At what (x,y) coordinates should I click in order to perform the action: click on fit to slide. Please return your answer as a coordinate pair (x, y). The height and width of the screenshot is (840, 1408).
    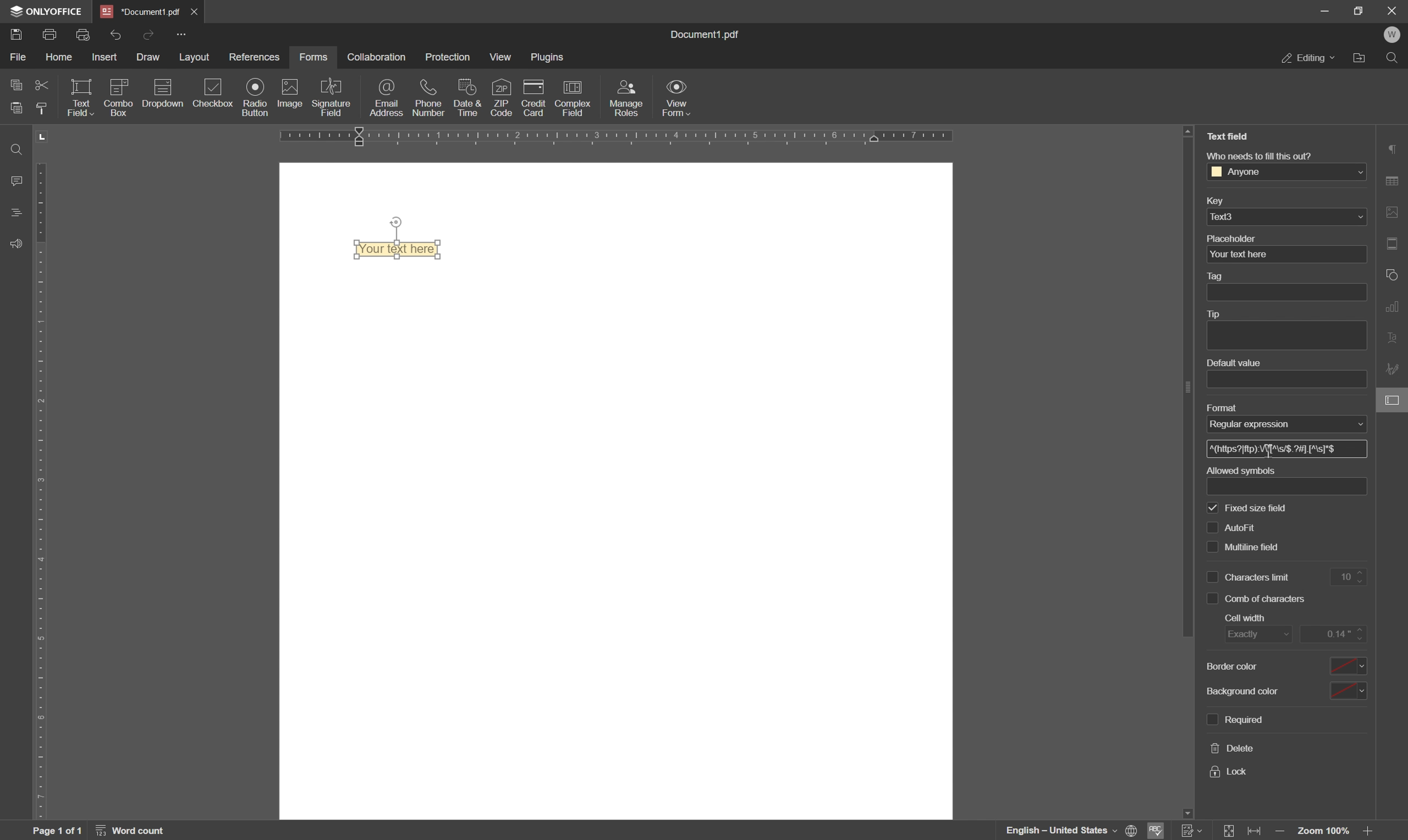
    Looking at the image, I should click on (1230, 831).